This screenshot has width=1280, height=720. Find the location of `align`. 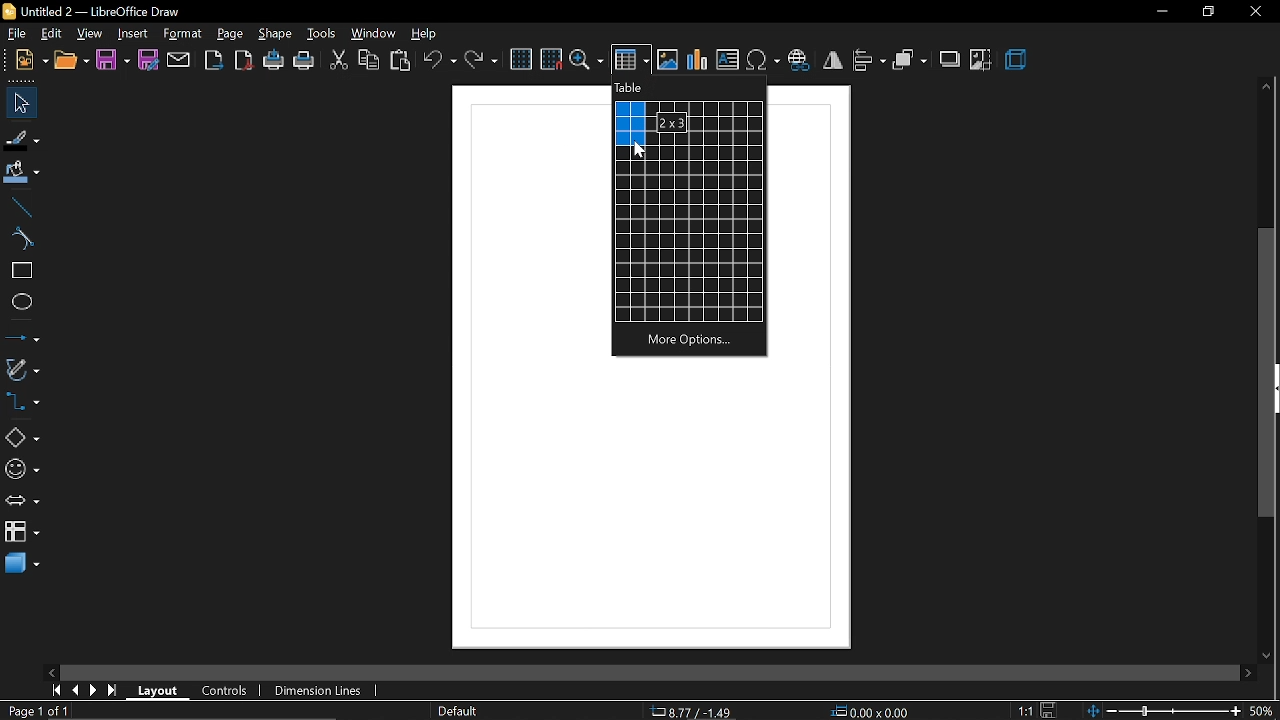

align is located at coordinates (870, 61).